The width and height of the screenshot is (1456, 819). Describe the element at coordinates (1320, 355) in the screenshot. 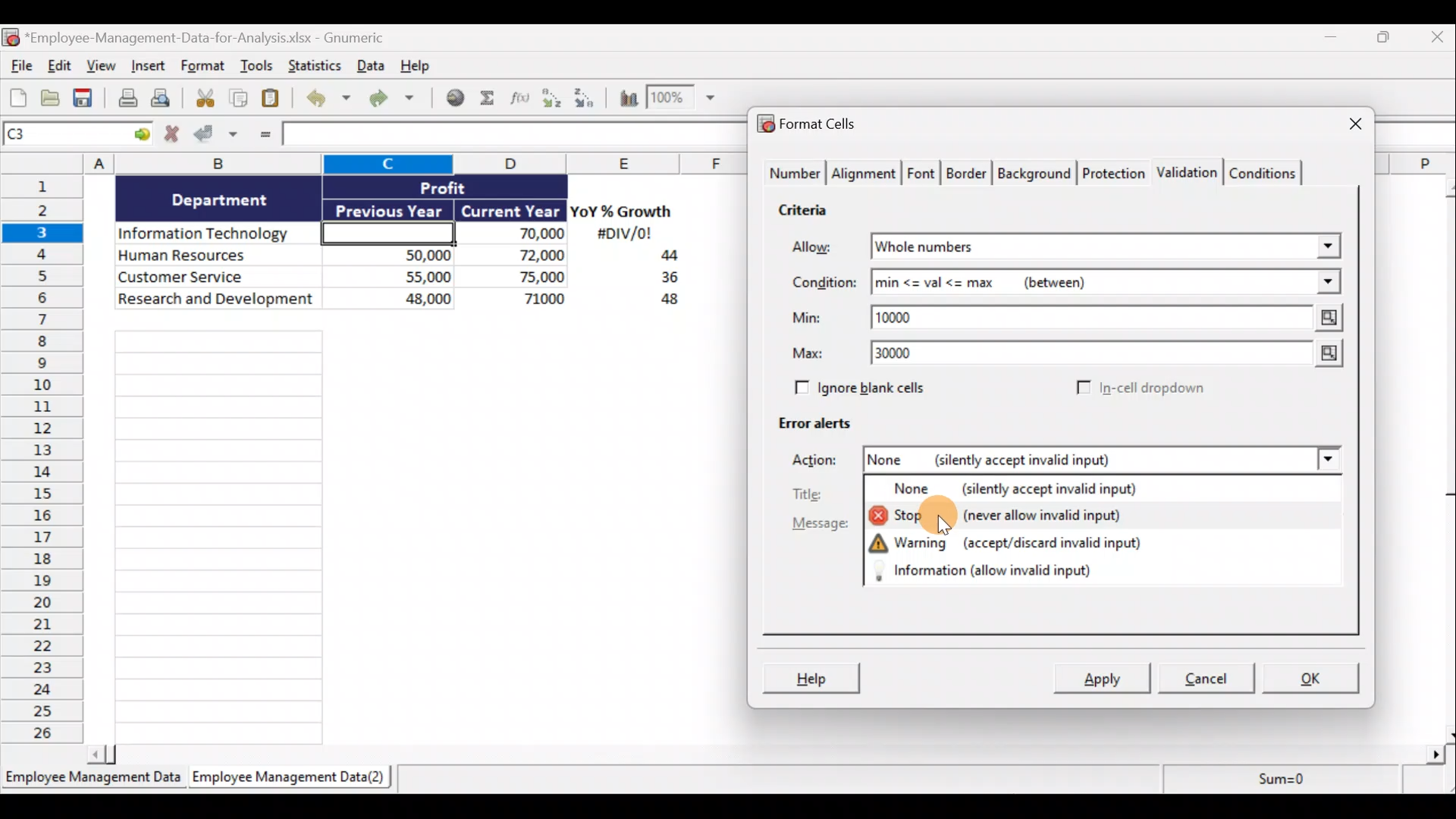

I see `Max value` at that location.